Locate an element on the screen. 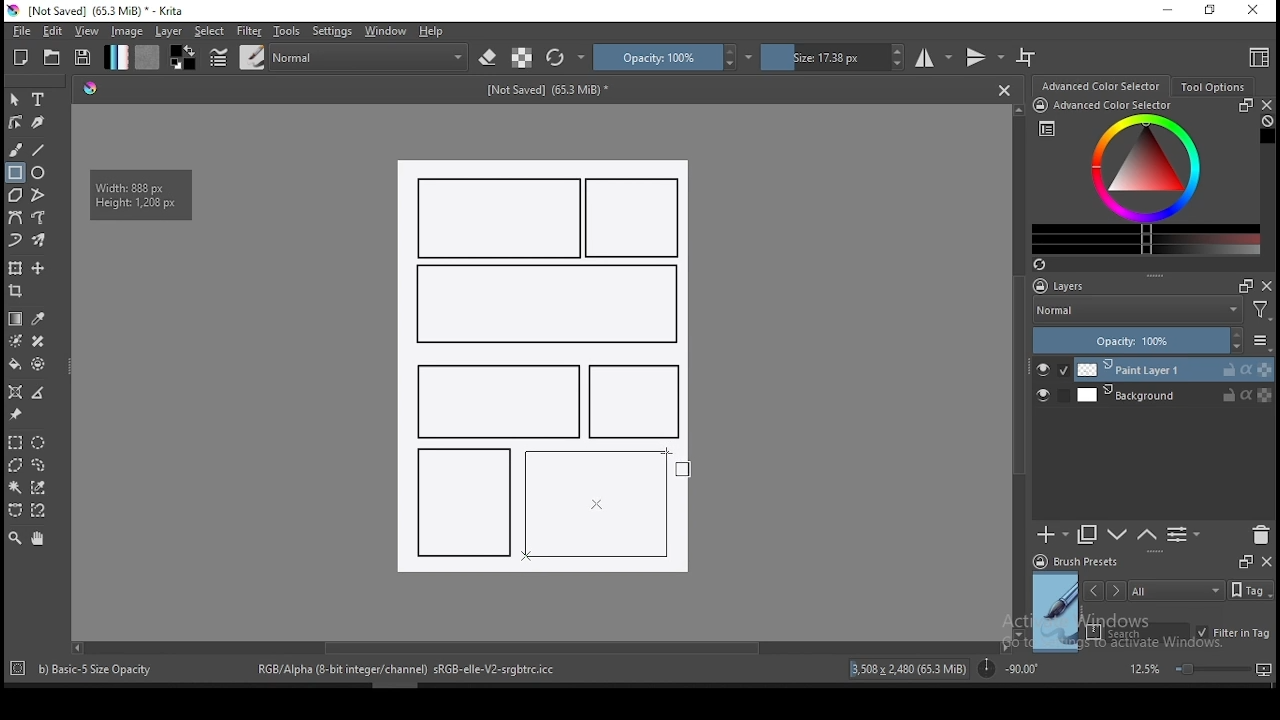 Image resolution: width=1280 pixels, height=720 pixels. image is located at coordinates (126, 31).